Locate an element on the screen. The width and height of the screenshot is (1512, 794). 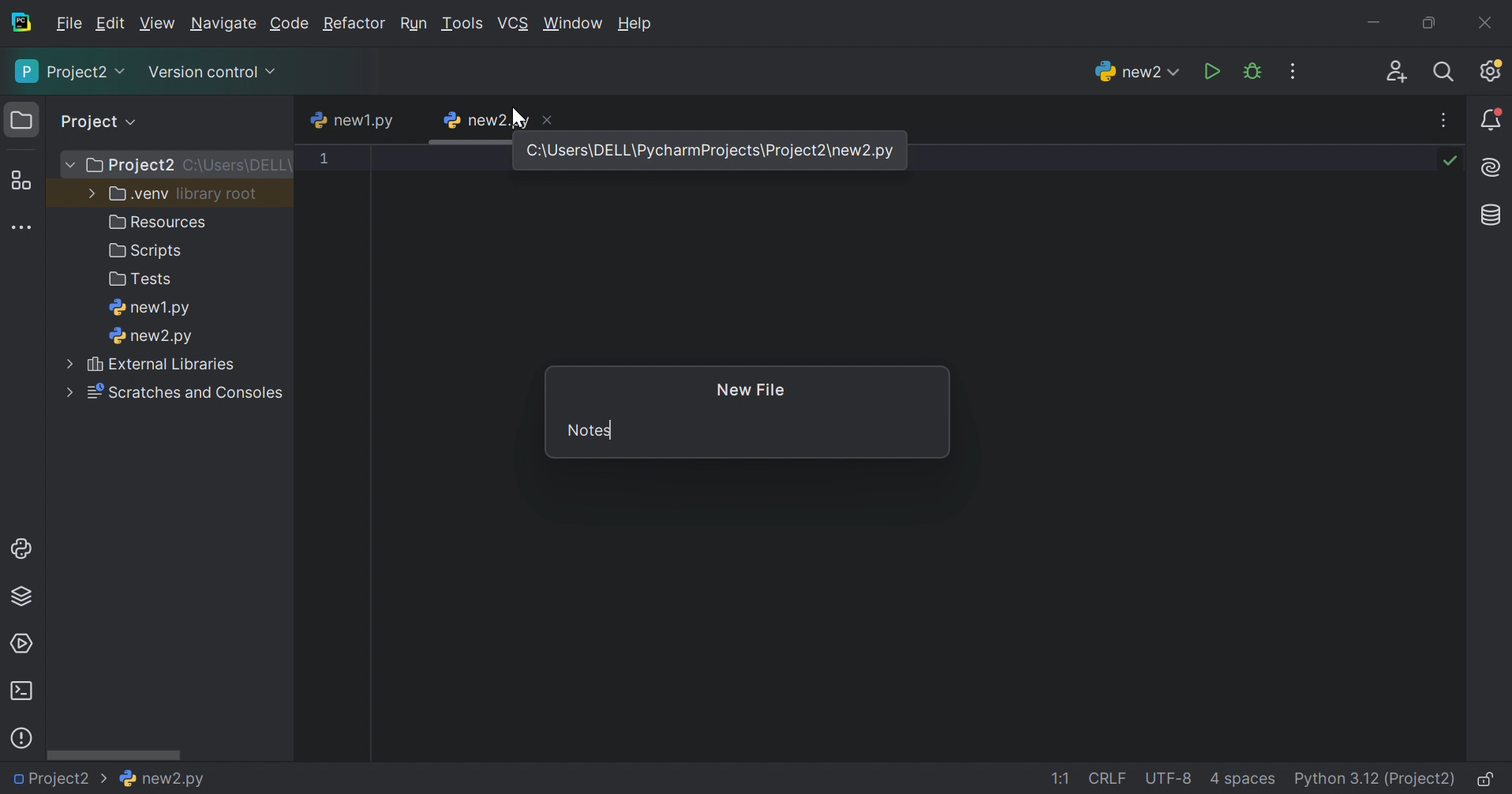
Resources is located at coordinates (161, 222).